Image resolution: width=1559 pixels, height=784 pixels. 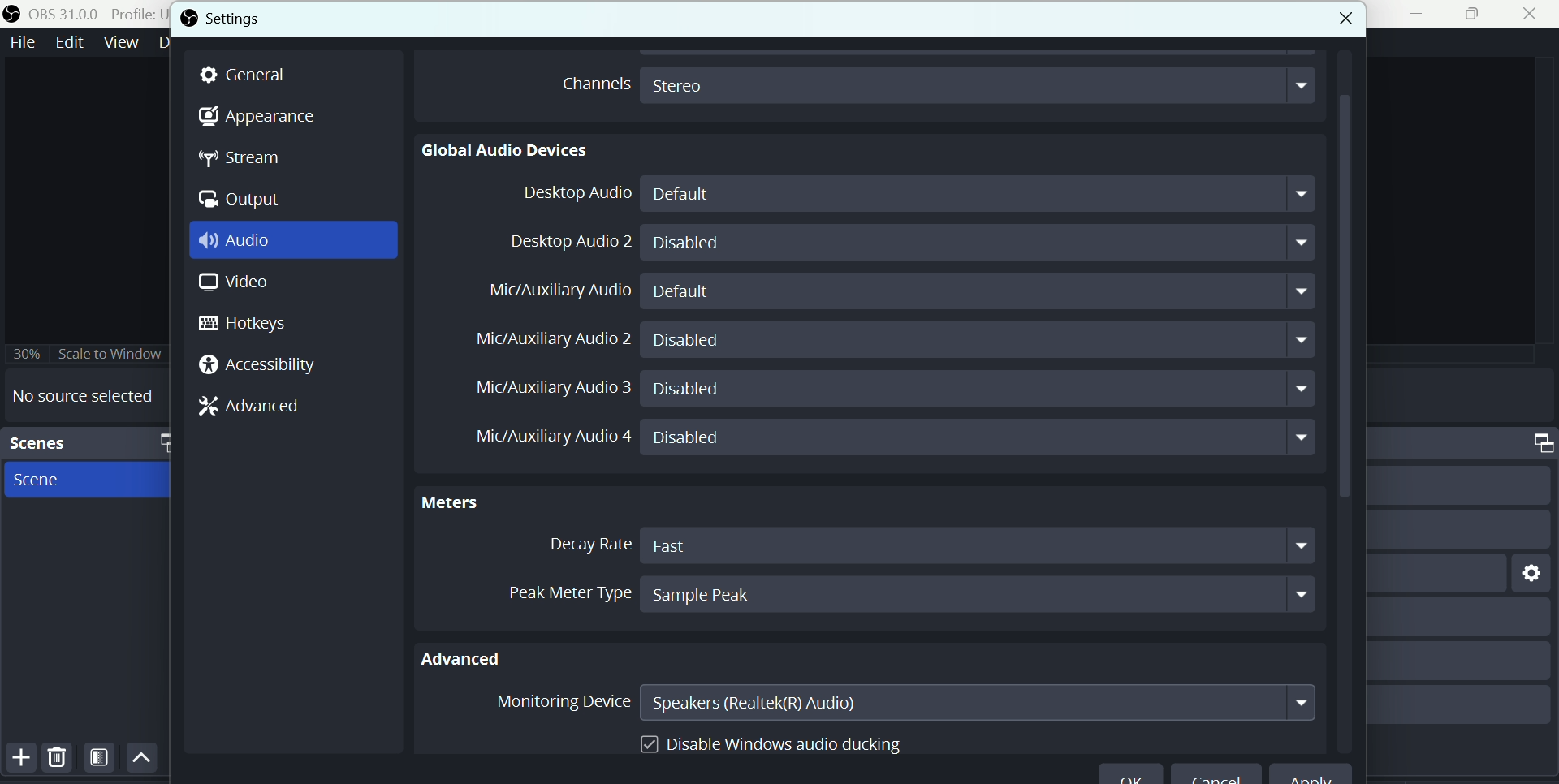 What do you see at coordinates (162, 442) in the screenshot?
I see `maximize` at bounding box center [162, 442].